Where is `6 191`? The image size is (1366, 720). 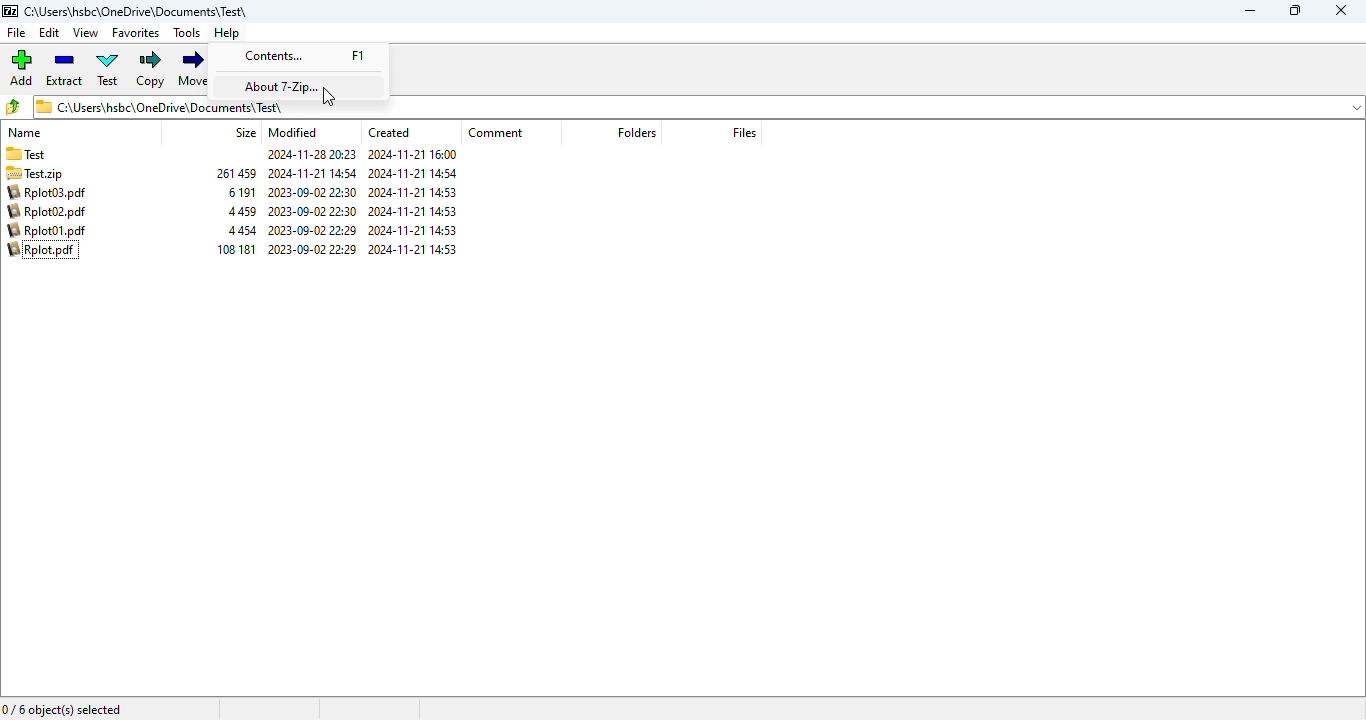 6 191 is located at coordinates (242, 192).